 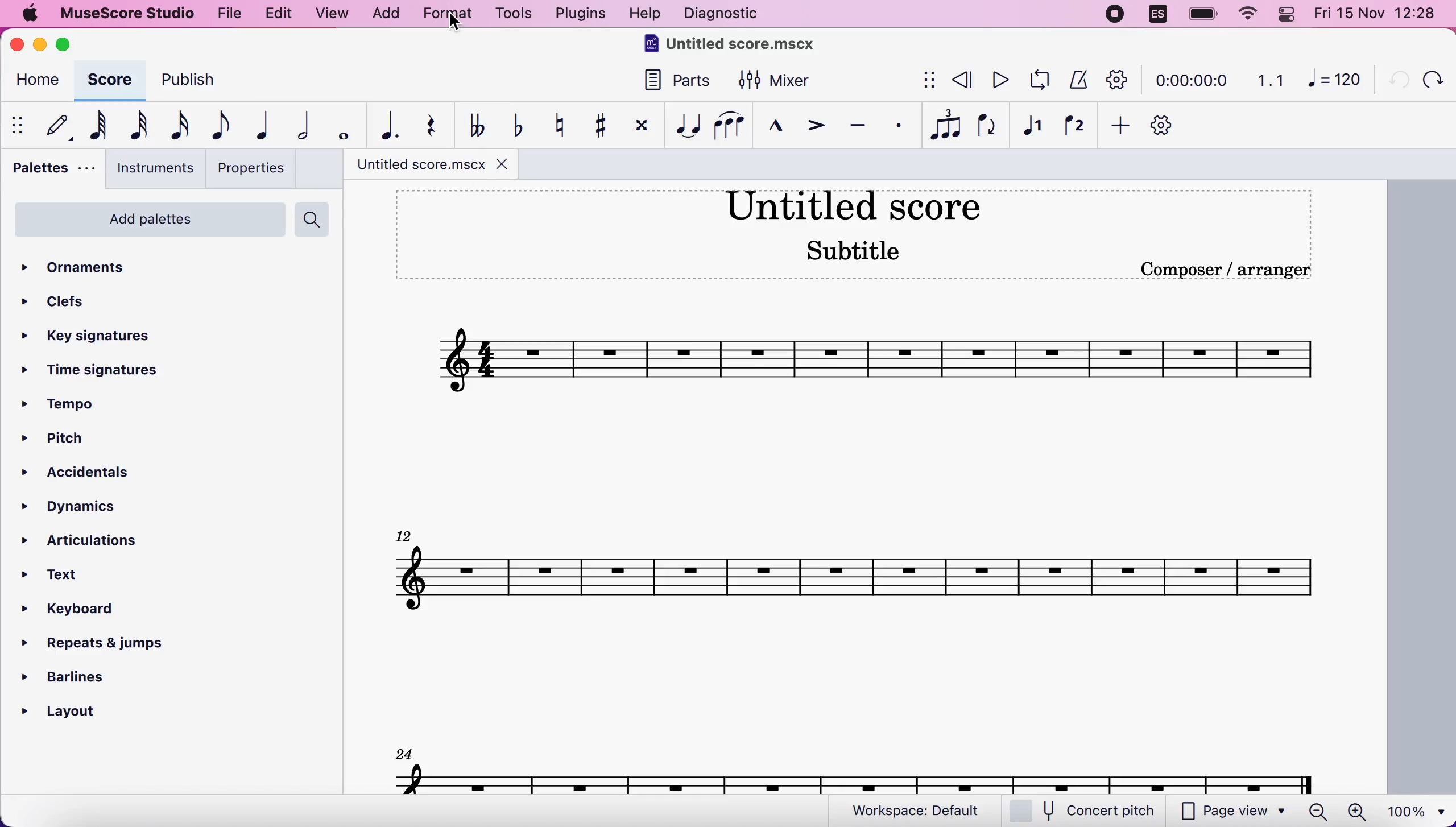 I want to click on instruments, so click(x=151, y=168).